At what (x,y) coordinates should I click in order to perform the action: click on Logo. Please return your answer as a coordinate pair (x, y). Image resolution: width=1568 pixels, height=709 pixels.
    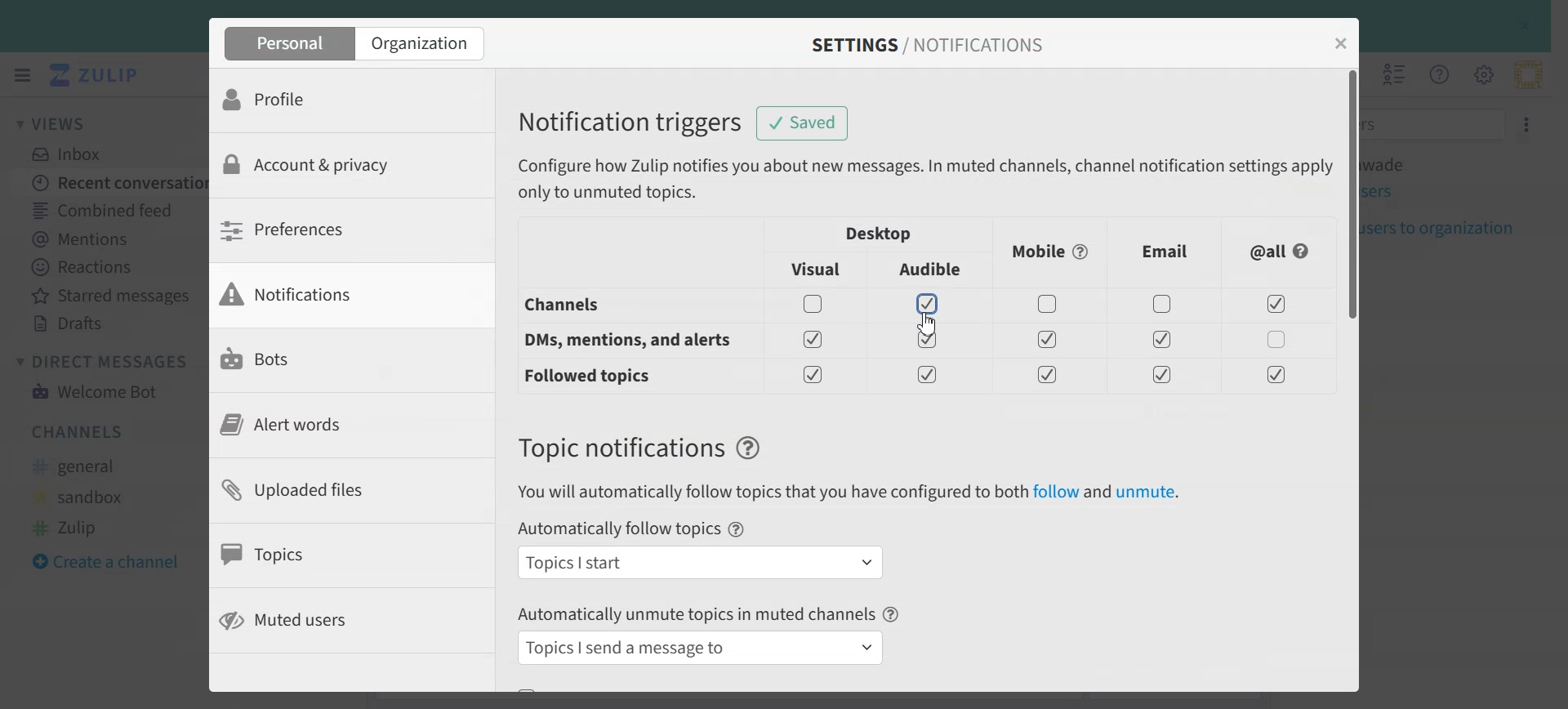
    Looking at the image, I should click on (97, 75).